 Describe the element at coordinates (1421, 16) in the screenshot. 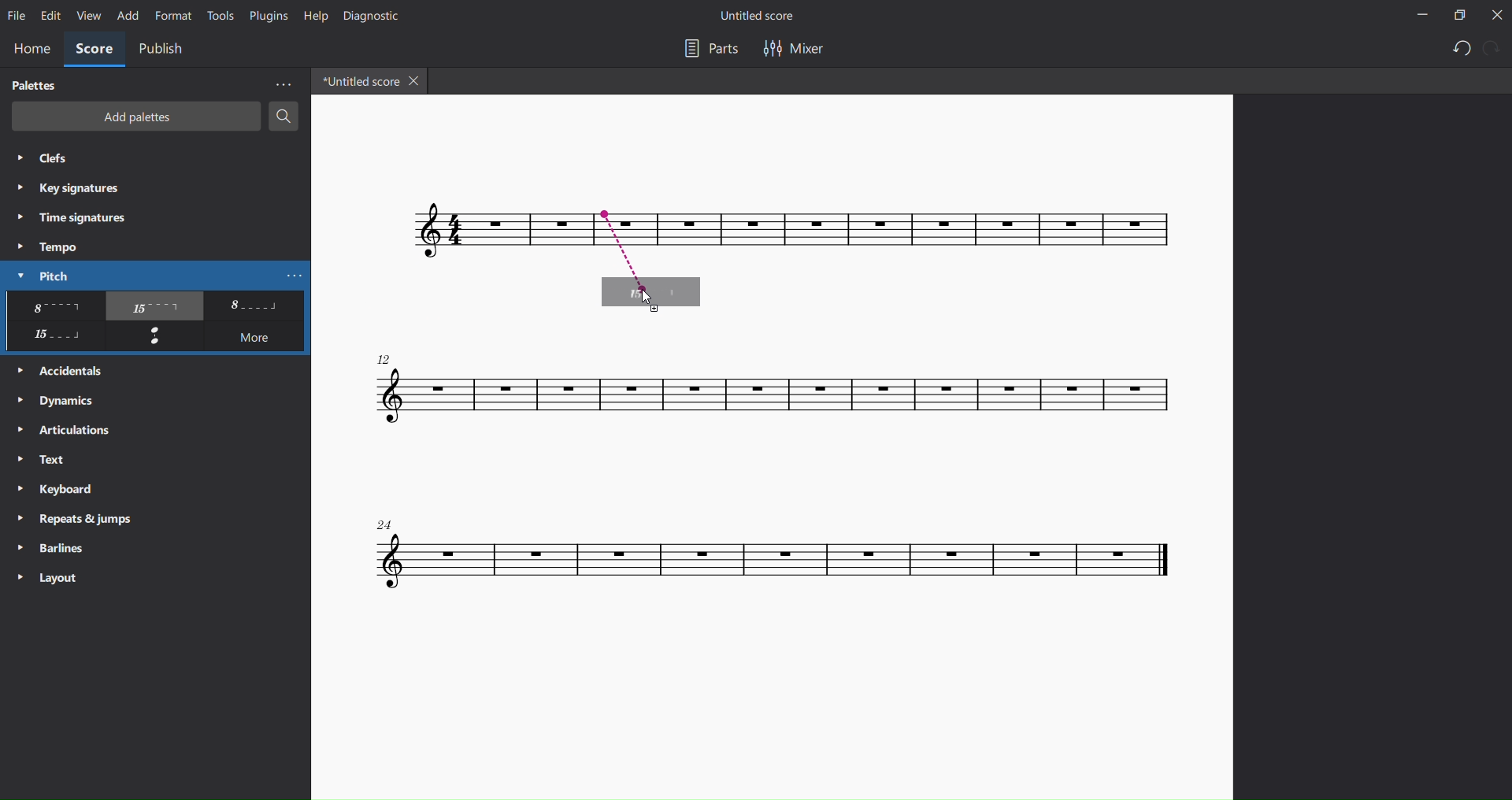

I see `minimize` at that location.